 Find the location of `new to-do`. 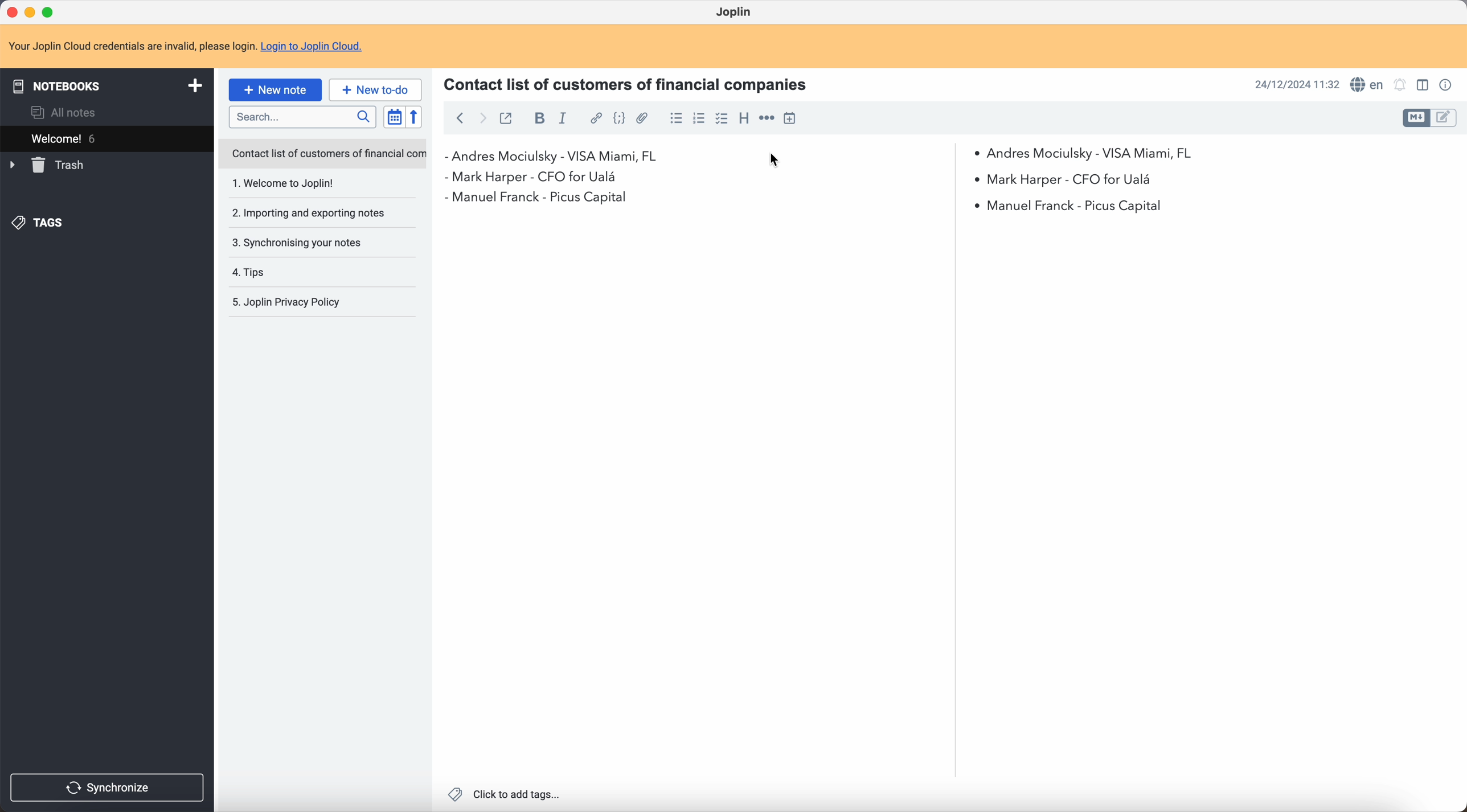

new to-do is located at coordinates (377, 89).